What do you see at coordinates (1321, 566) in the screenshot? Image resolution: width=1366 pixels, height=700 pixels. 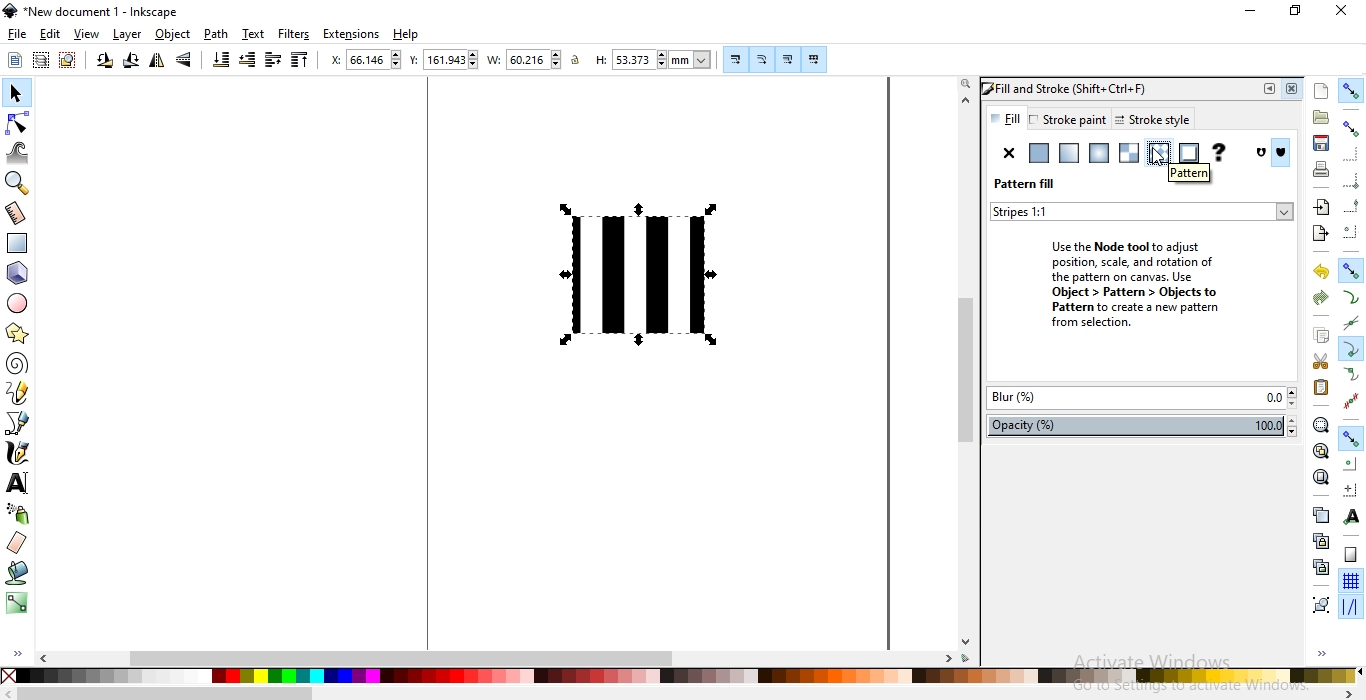 I see `cut the selected clones` at bounding box center [1321, 566].